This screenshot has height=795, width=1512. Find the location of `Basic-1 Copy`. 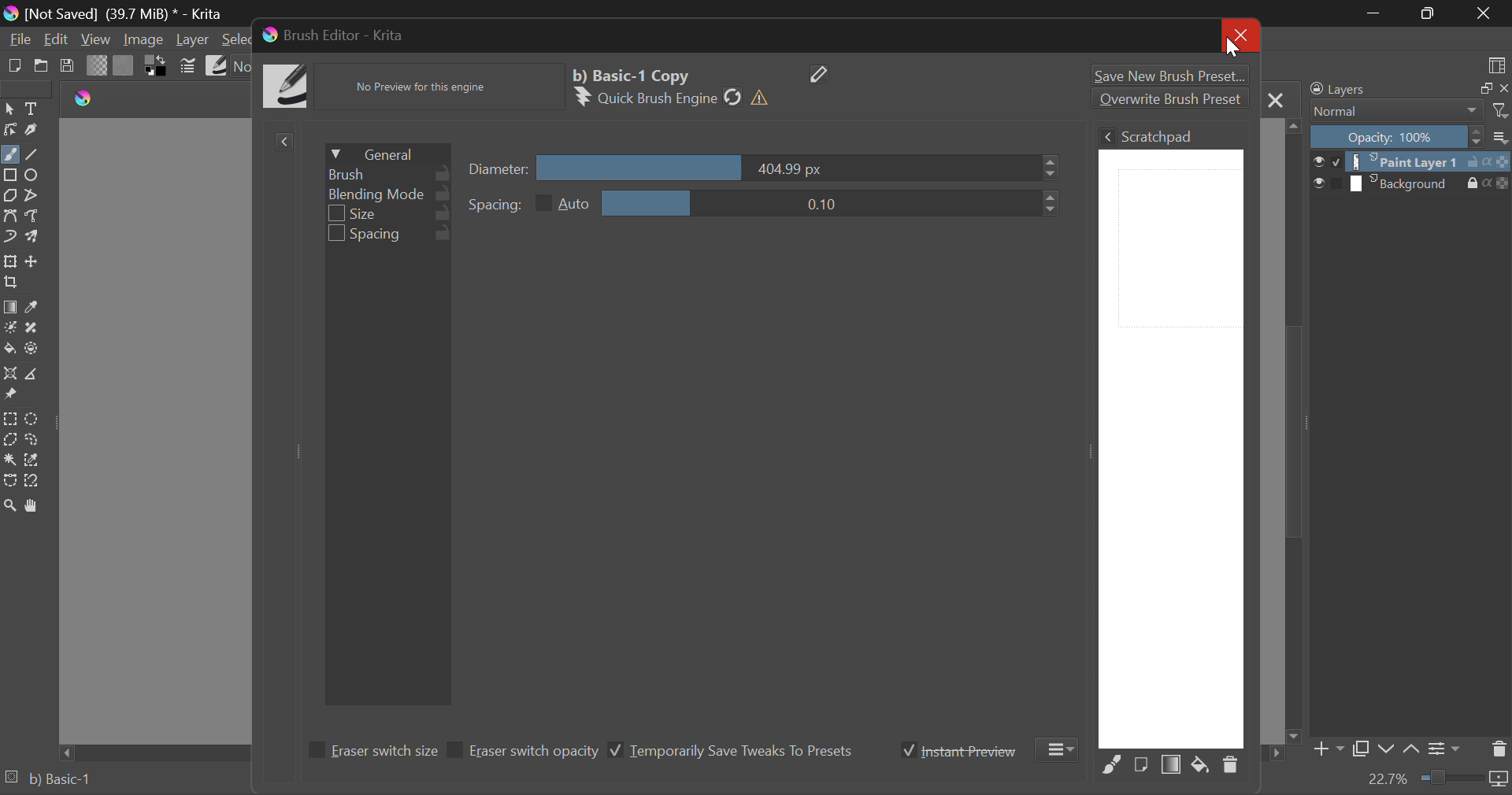

Basic-1 Copy is located at coordinates (651, 74).